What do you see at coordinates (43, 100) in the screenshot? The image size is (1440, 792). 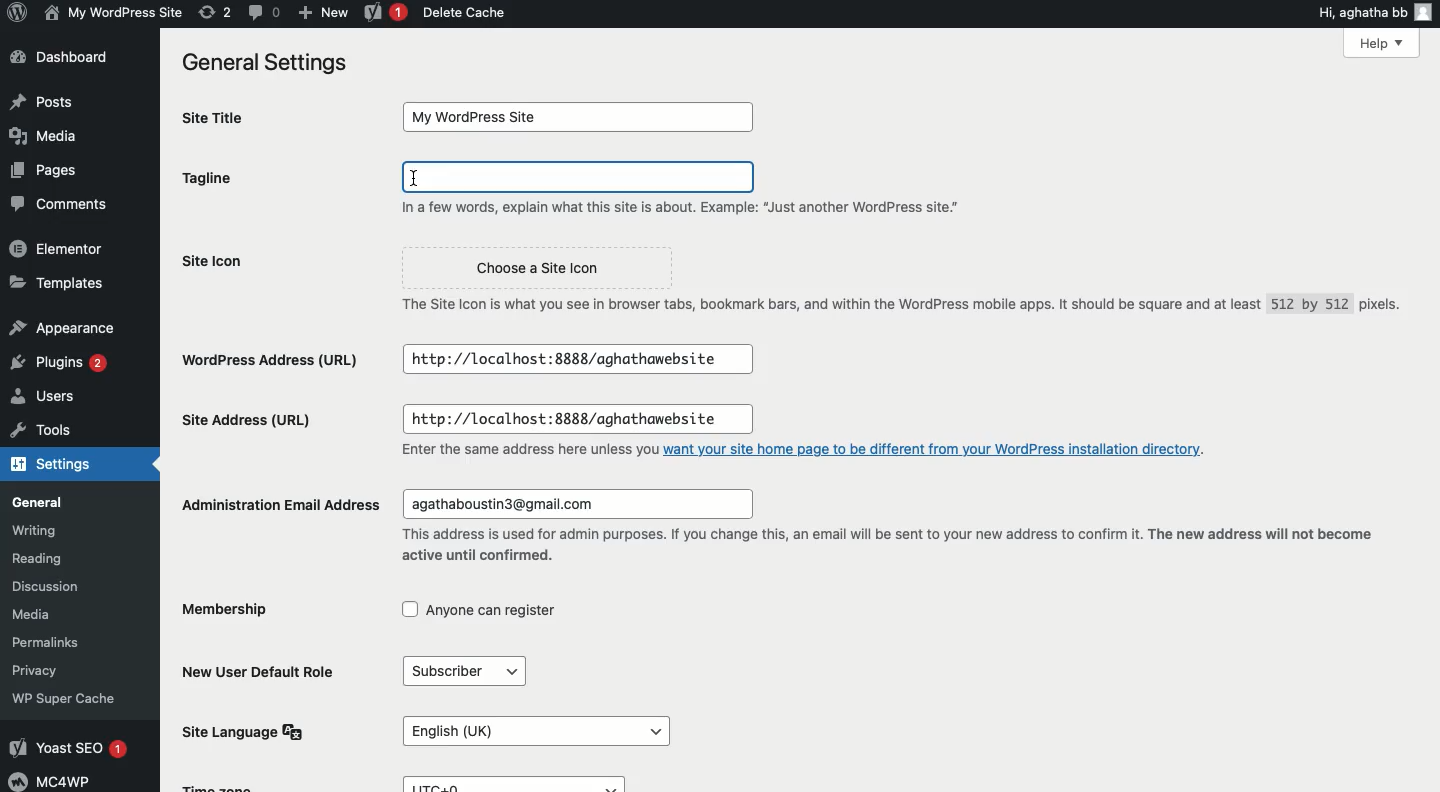 I see `Post` at bounding box center [43, 100].